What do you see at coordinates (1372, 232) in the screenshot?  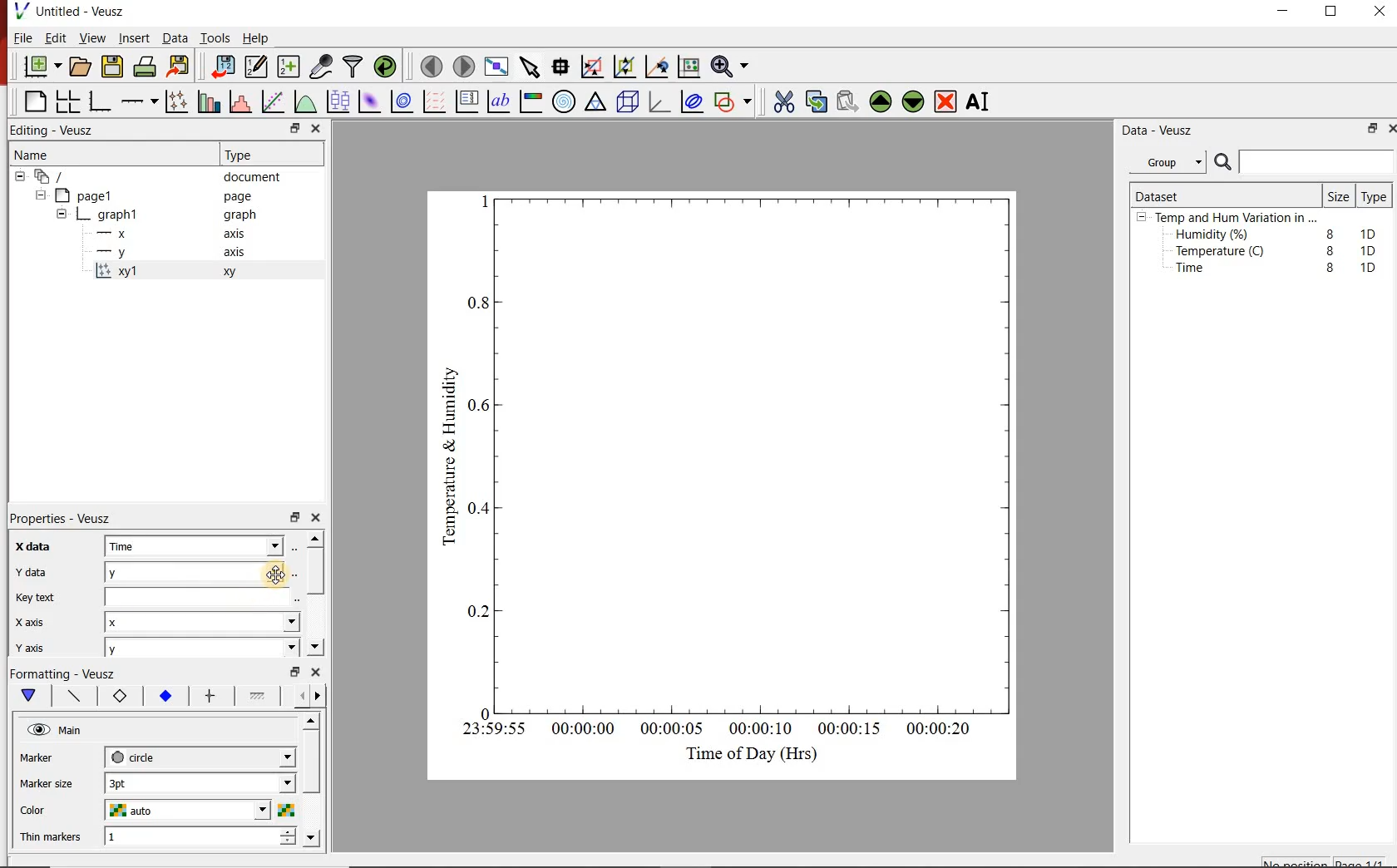 I see `1D` at bounding box center [1372, 232].